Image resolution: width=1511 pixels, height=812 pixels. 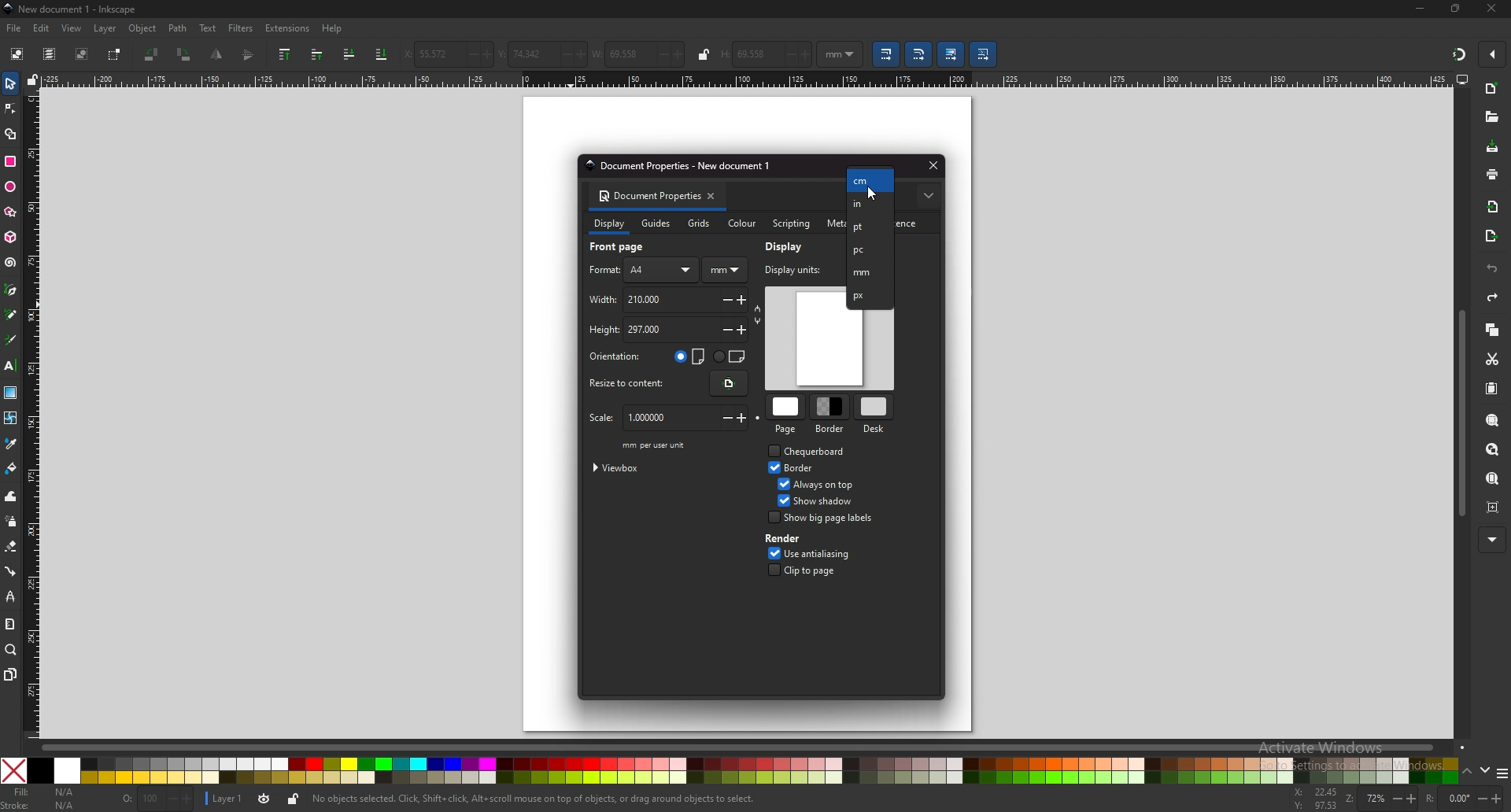 I want to click on move gradient, so click(x=952, y=54).